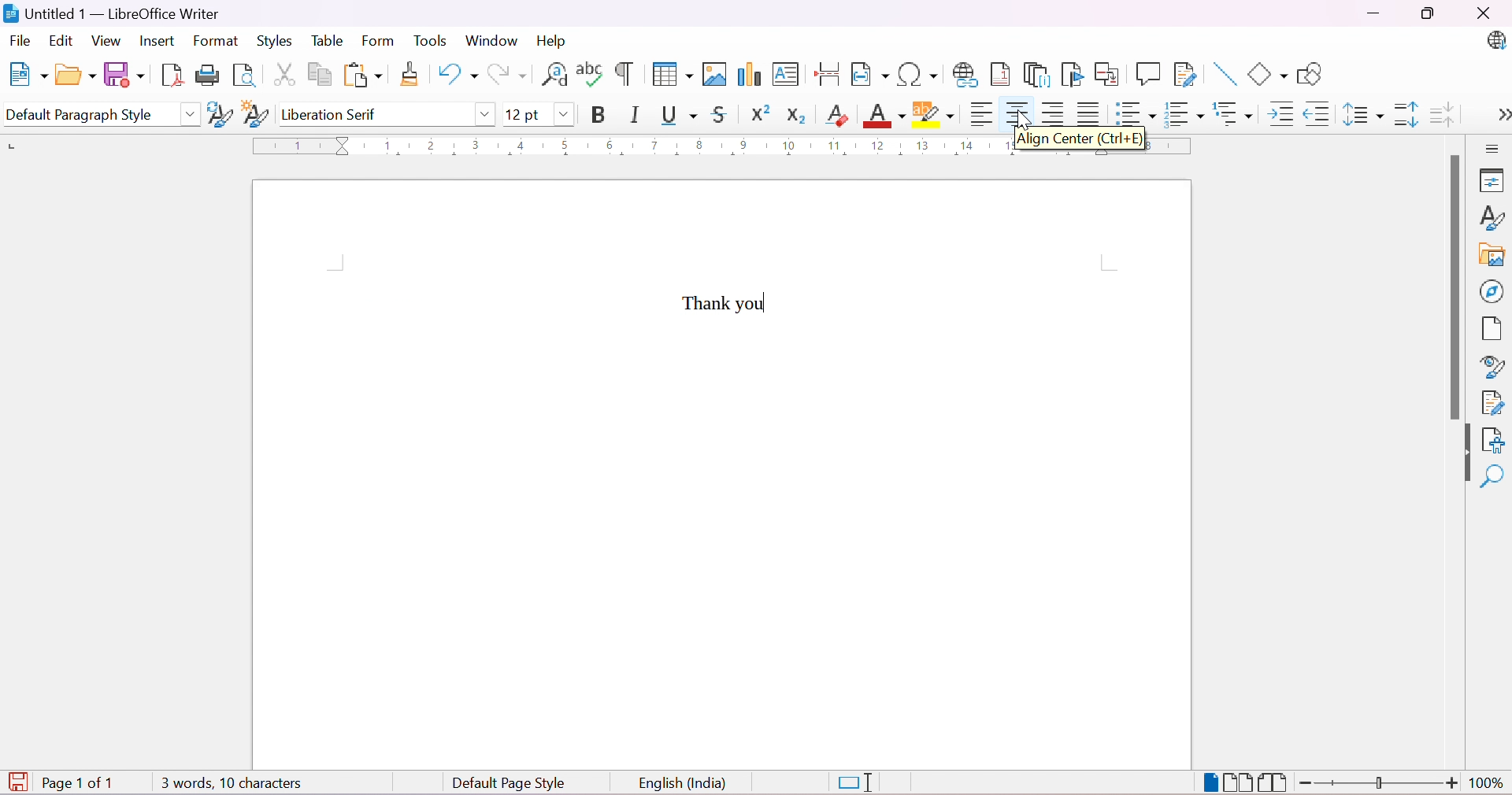 This screenshot has width=1512, height=795. What do you see at coordinates (683, 784) in the screenshot?
I see `English (India)` at bounding box center [683, 784].